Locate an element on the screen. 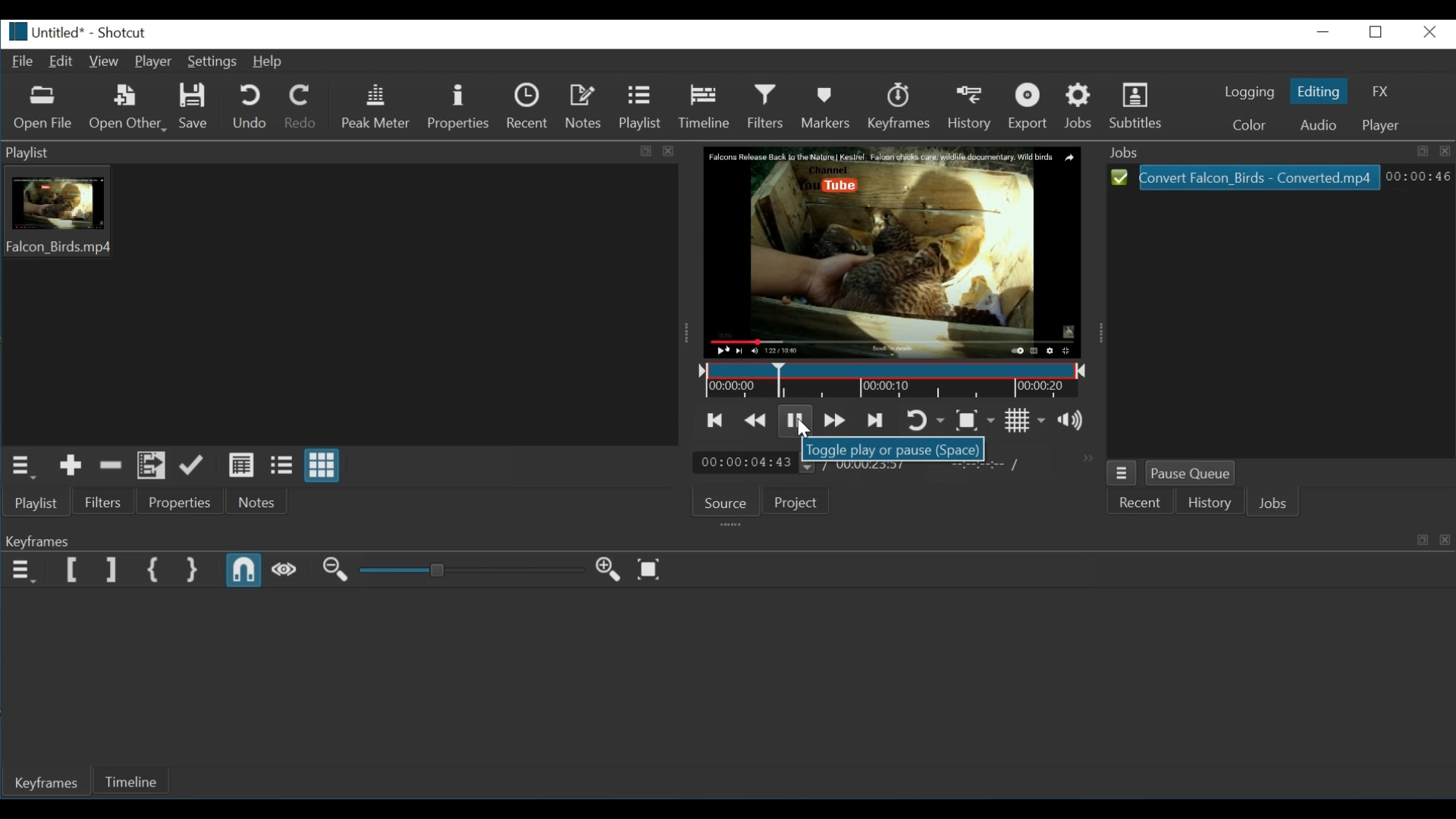  Open File is located at coordinates (44, 108).